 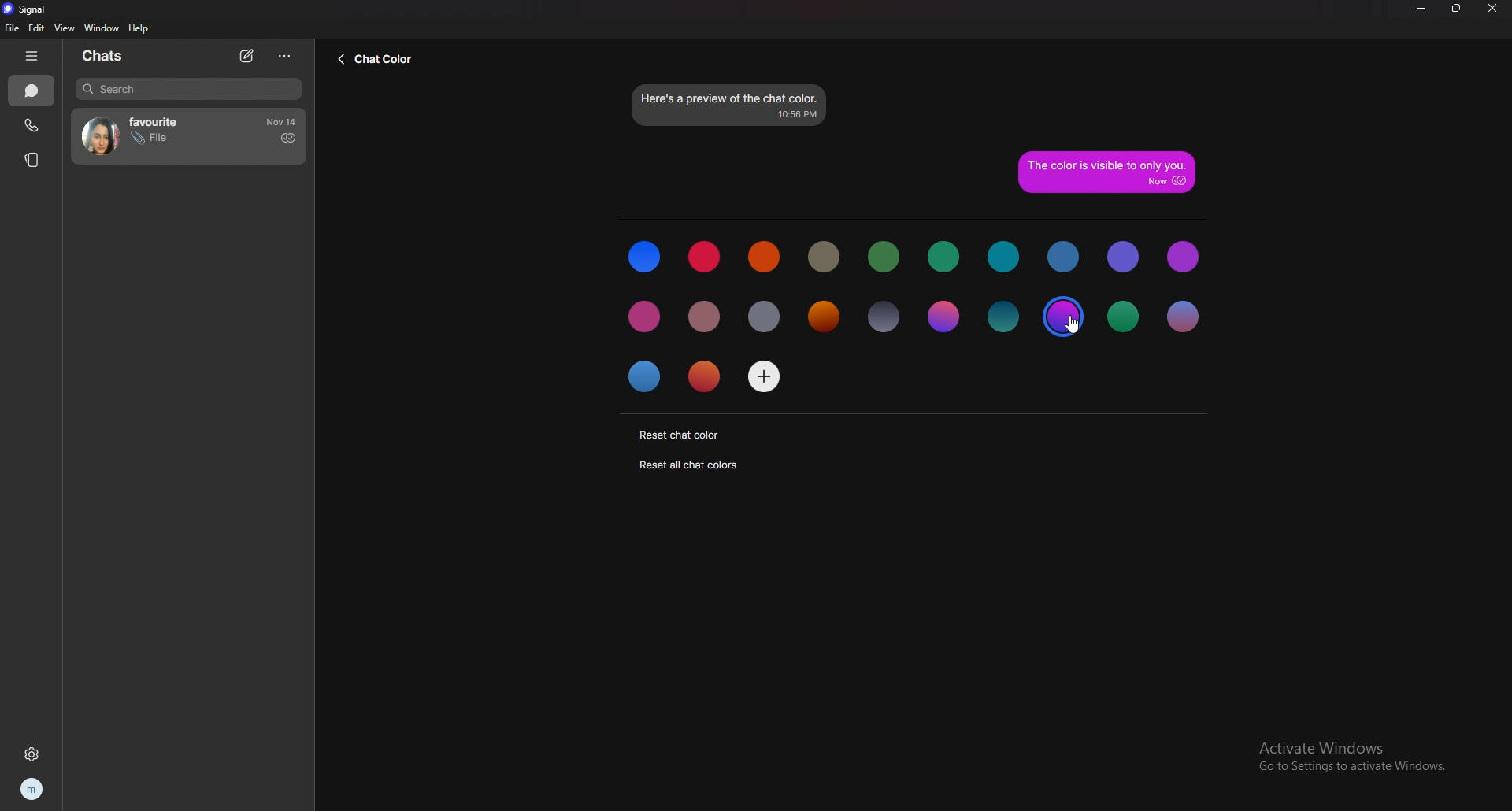 I want to click on color, so click(x=765, y=317).